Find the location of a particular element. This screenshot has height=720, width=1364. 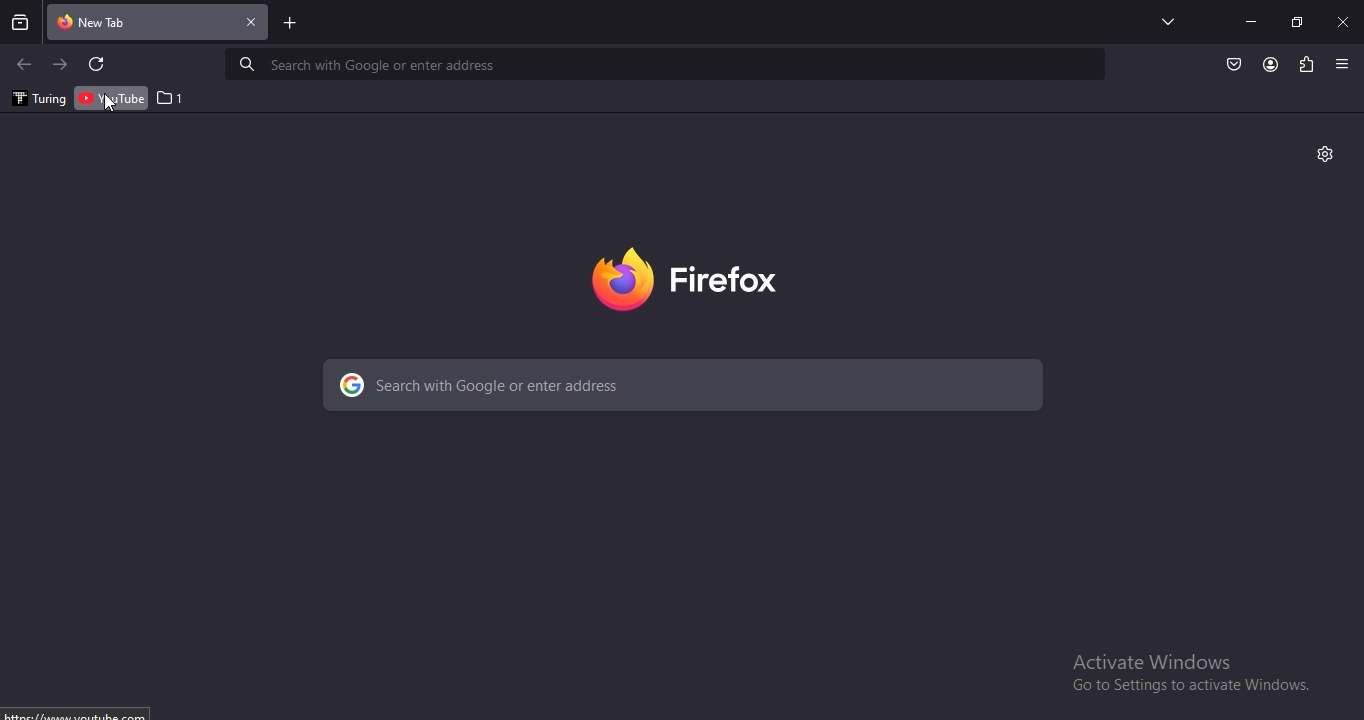

settings is located at coordinates (1325, 152).